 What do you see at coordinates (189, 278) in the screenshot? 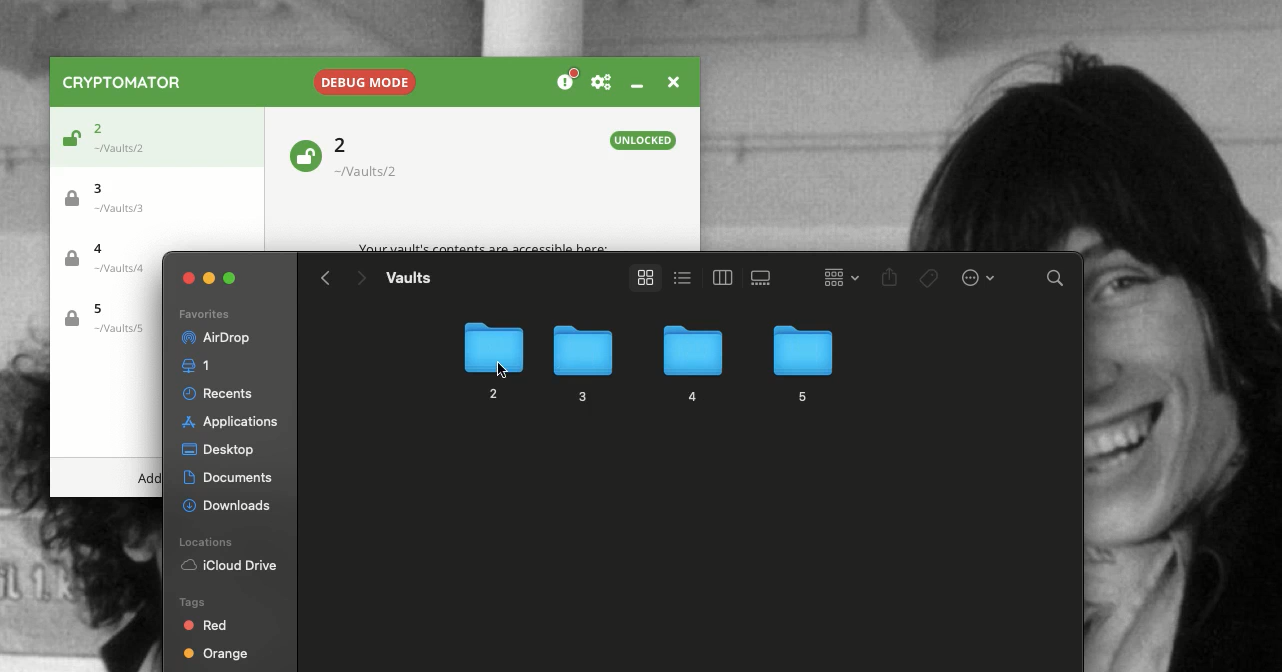
I see `Close` at bounding box center [189, 278].